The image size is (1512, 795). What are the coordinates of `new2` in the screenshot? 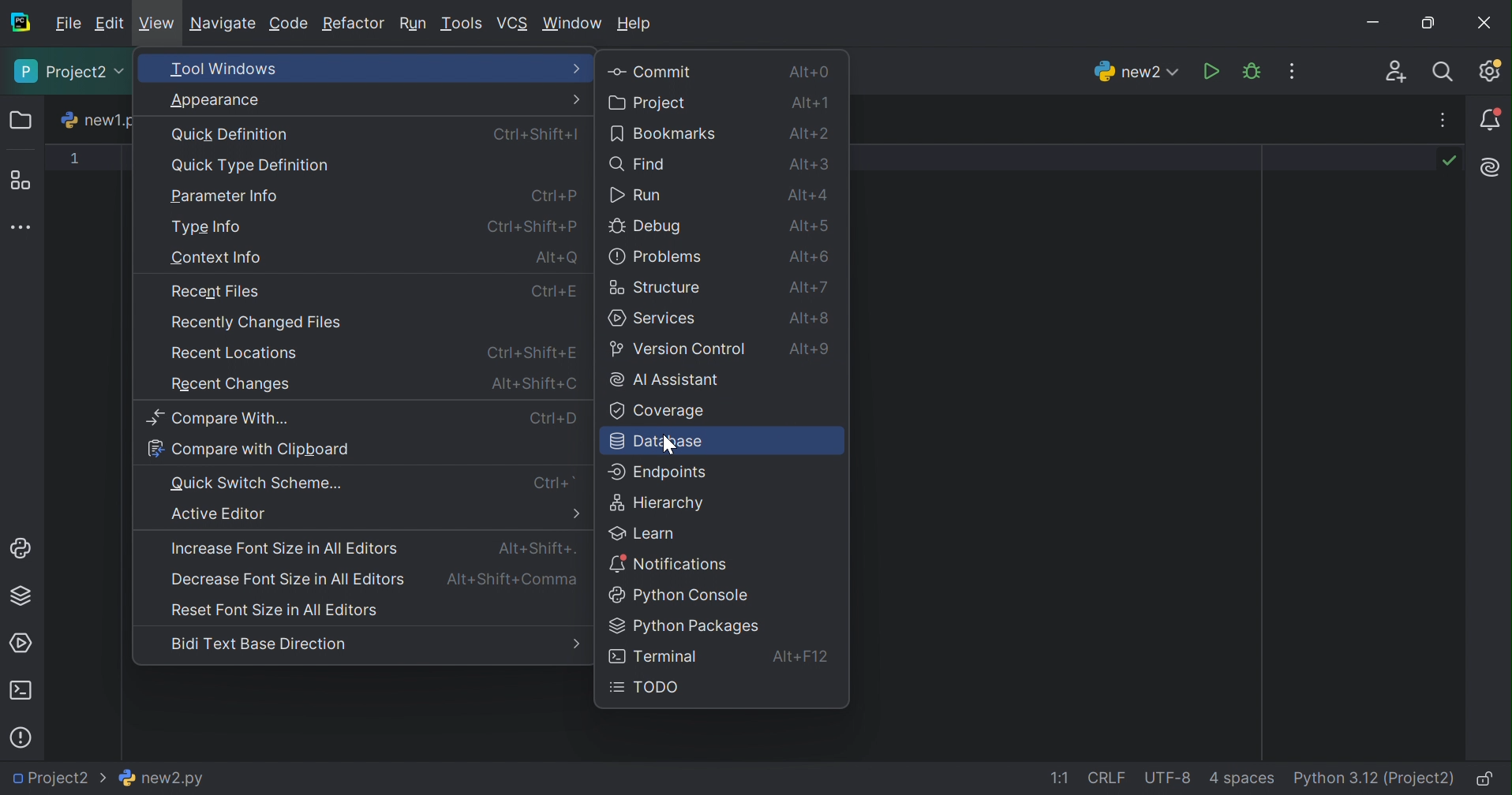 It's located at (1137, 71).